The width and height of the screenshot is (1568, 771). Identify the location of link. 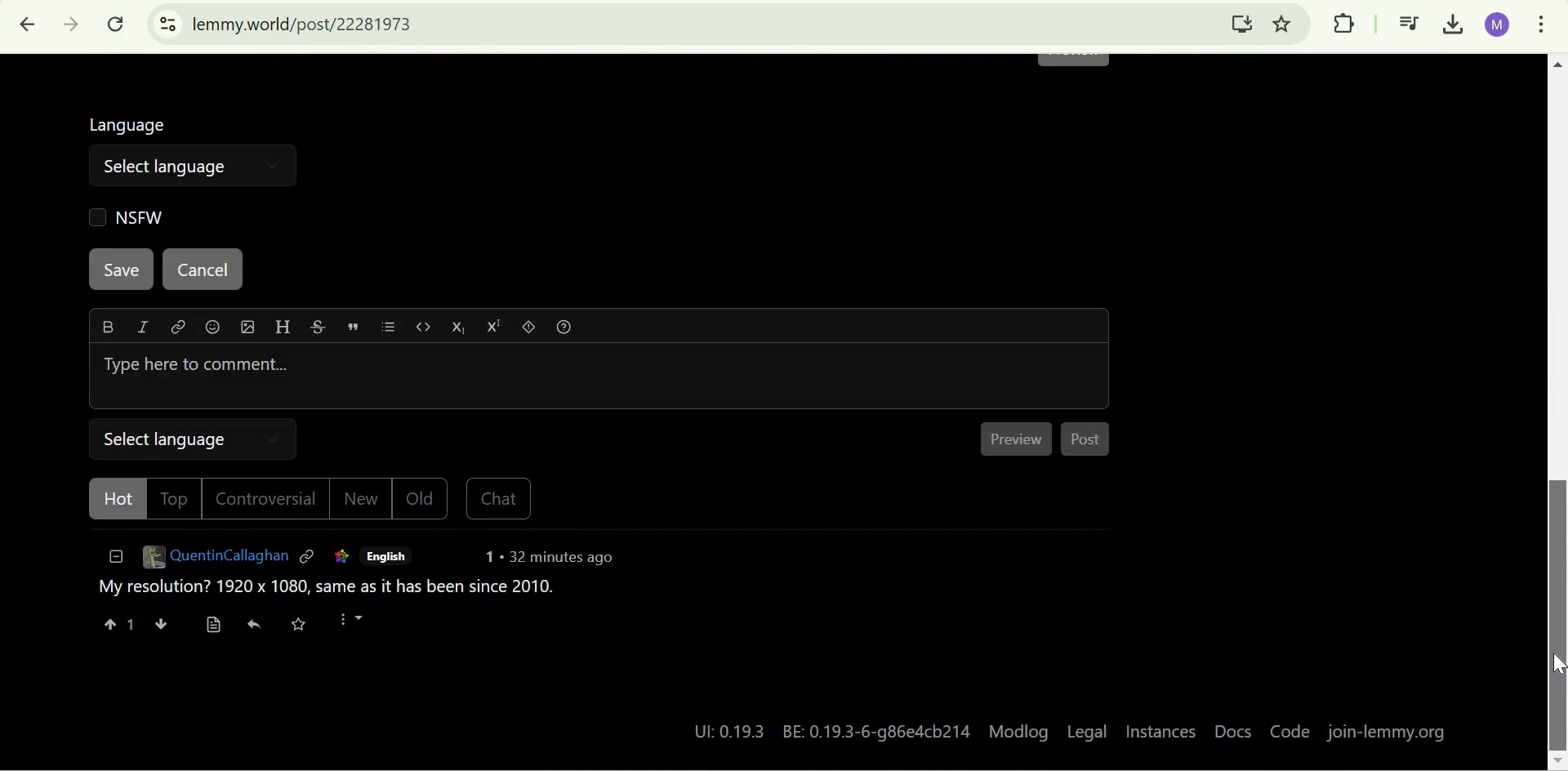
(176, 330).